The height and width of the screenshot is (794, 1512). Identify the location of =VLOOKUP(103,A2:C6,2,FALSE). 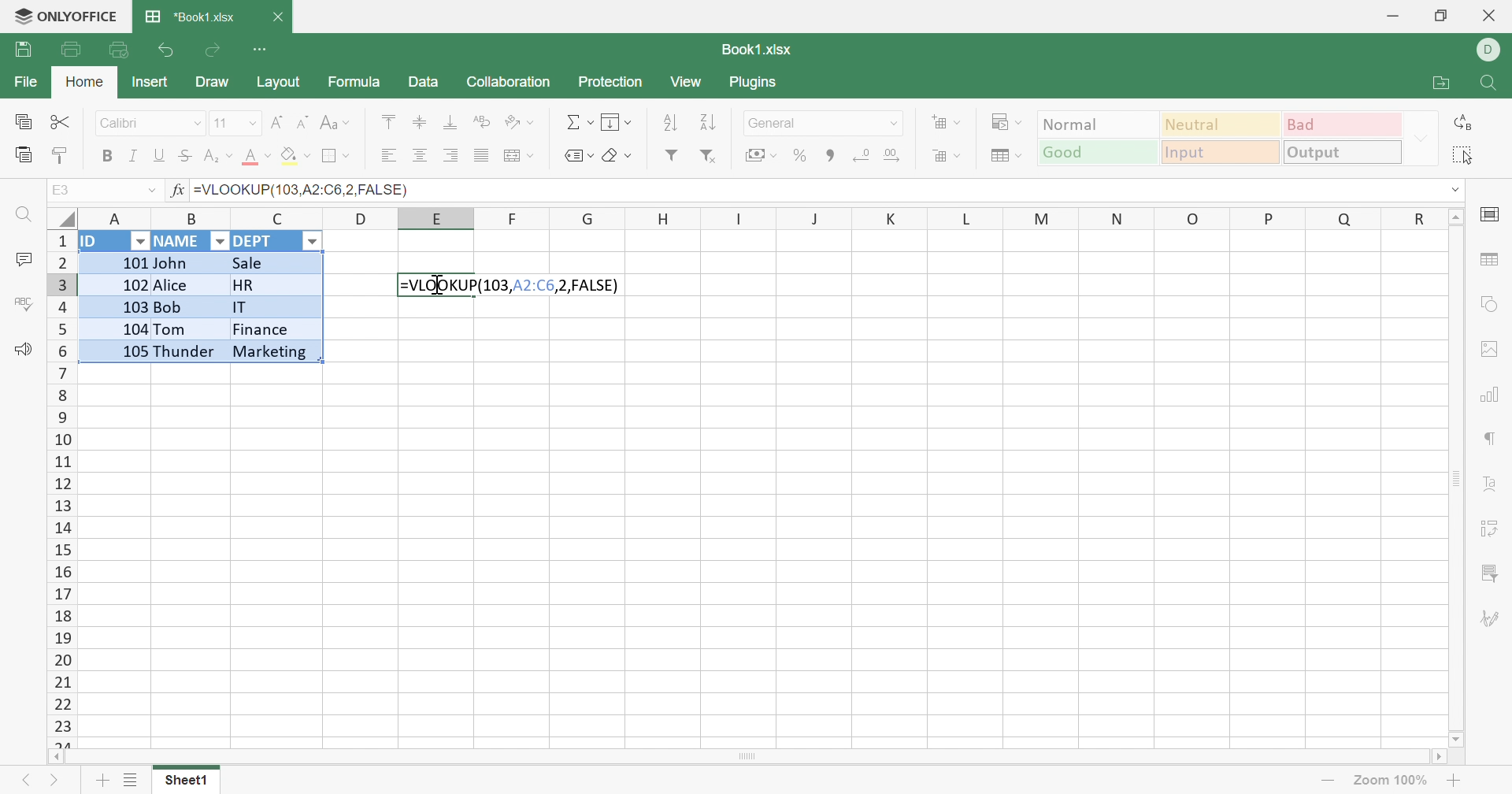
(302, 191).